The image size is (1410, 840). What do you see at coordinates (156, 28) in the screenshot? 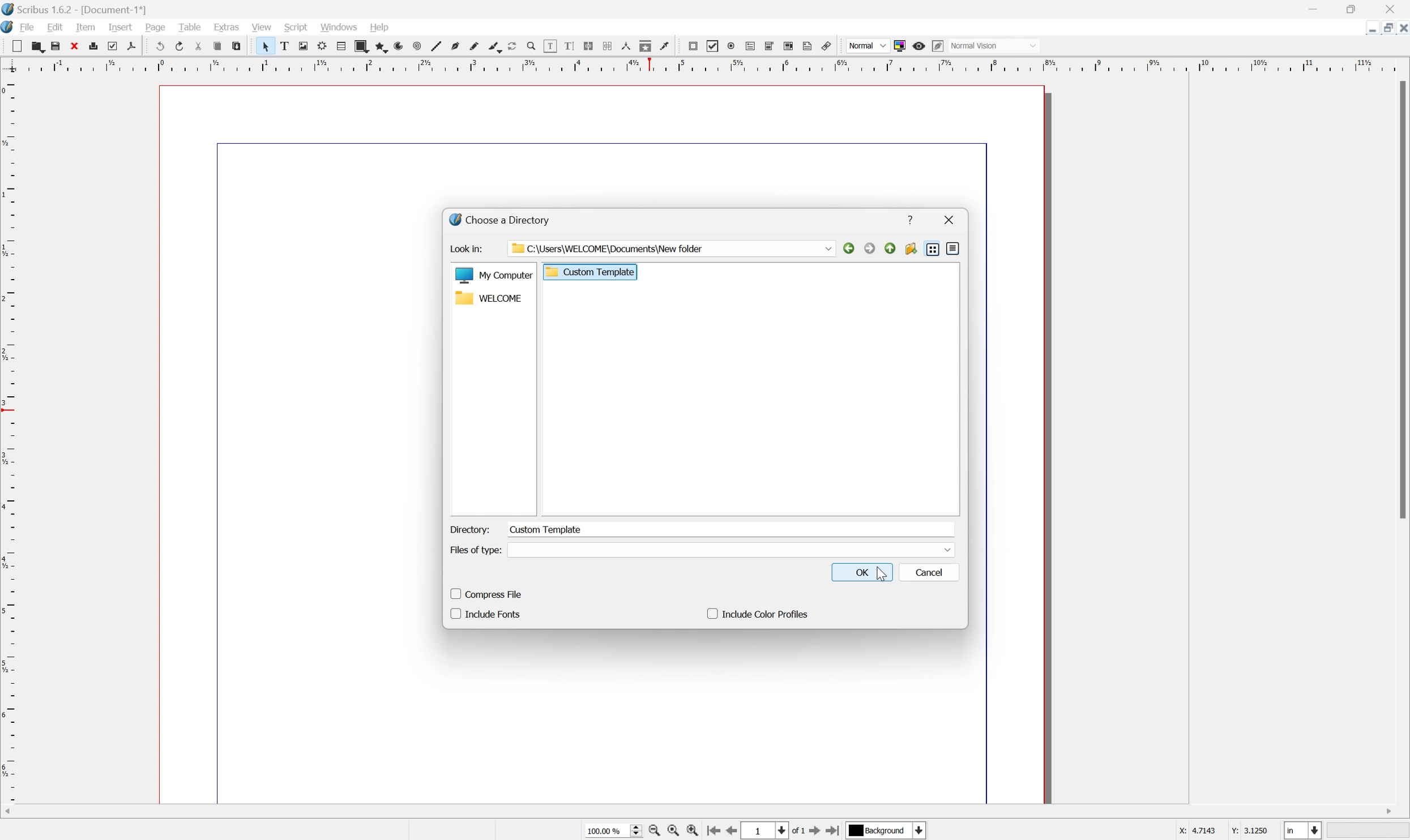
I see `page` at bounding box center [156, 28].